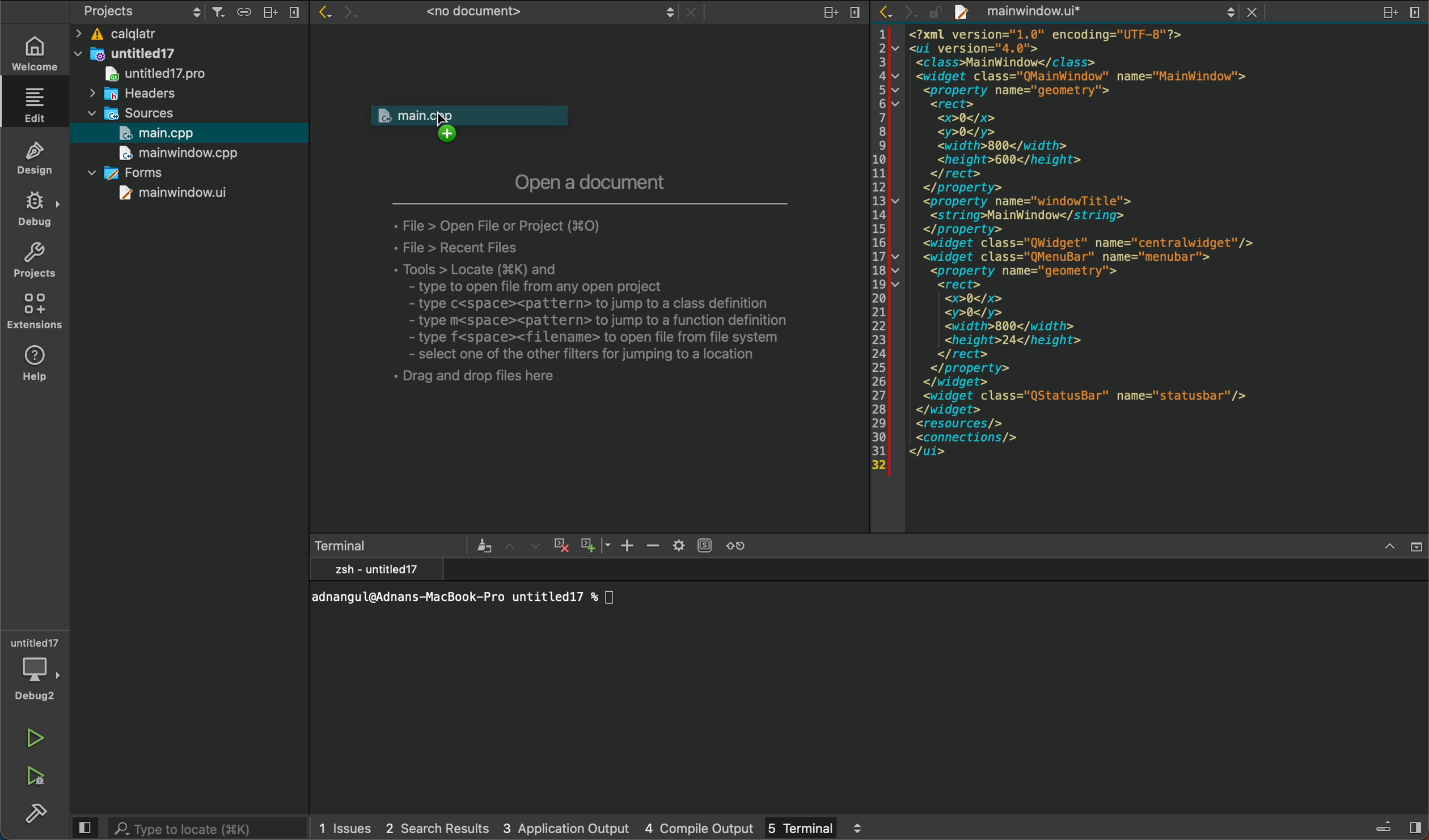 The image size is (1429, 840). I want to click on filter tree, so click(219, 13).